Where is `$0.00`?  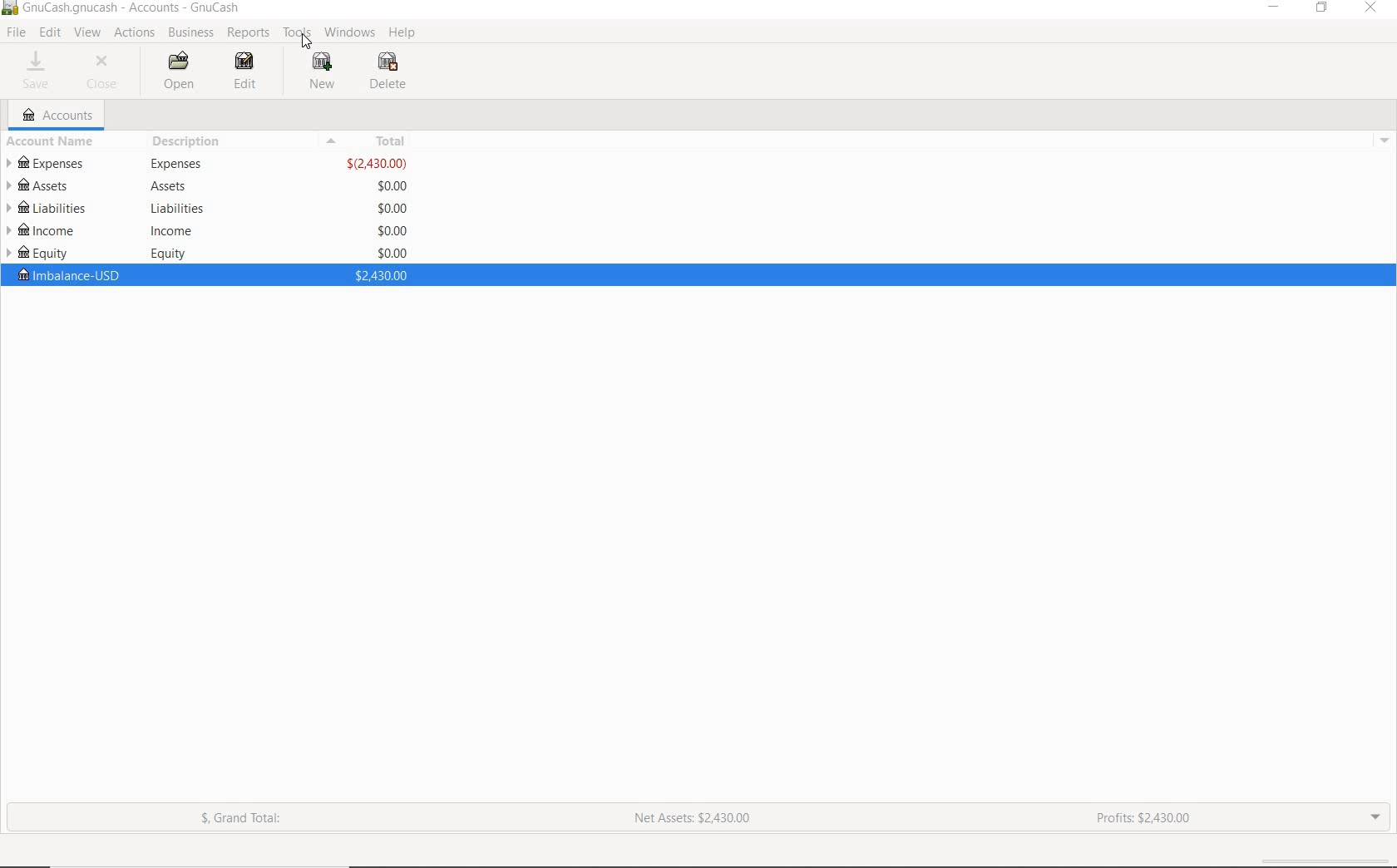
$0.00 is located at coordinates (393, 207).